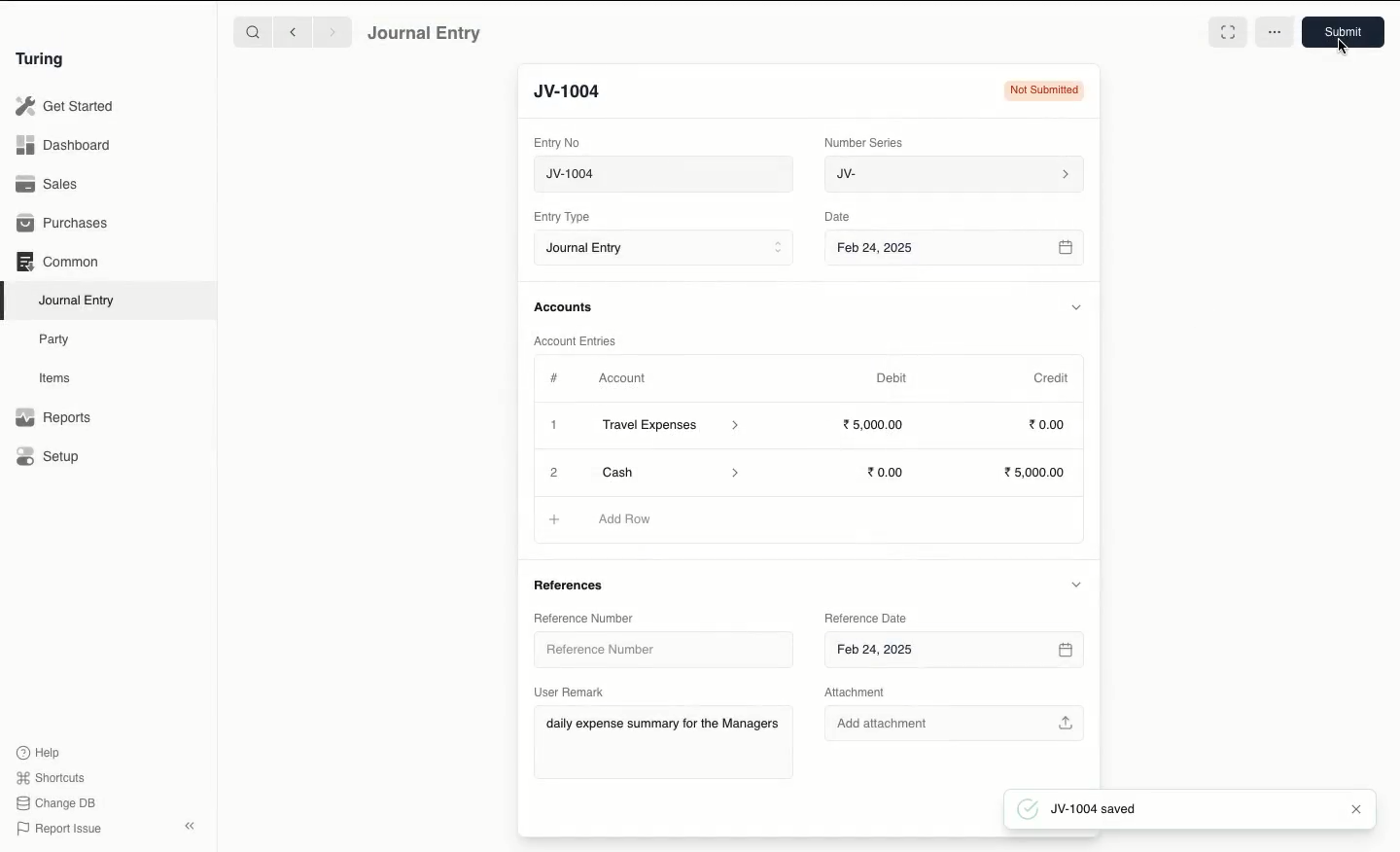  Describe the element at coordinates (1340, 45) in the screenshot. I see `cursor` at that location.